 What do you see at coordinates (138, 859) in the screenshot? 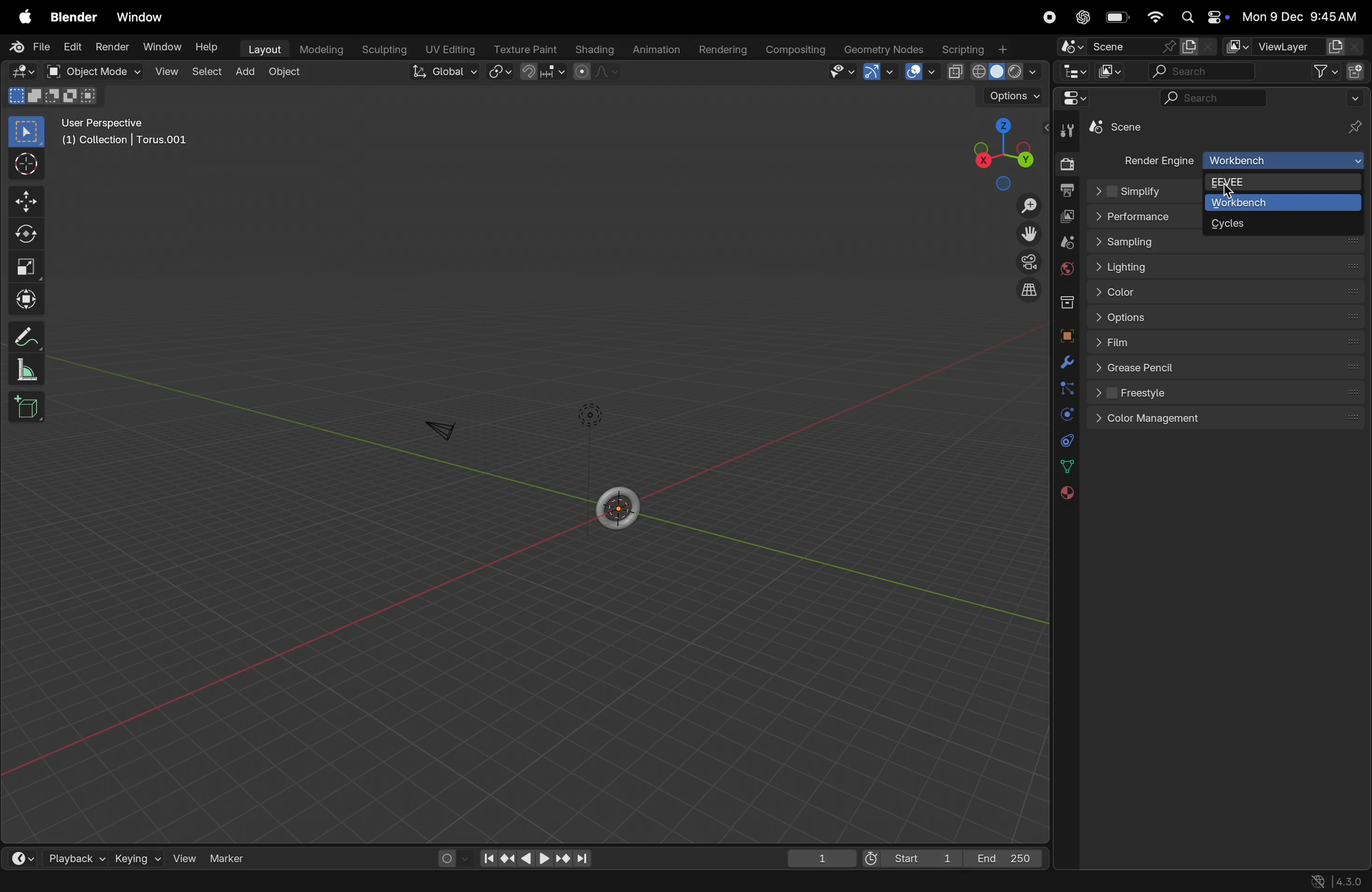
I see `keying` at bounding box center [138, 859].